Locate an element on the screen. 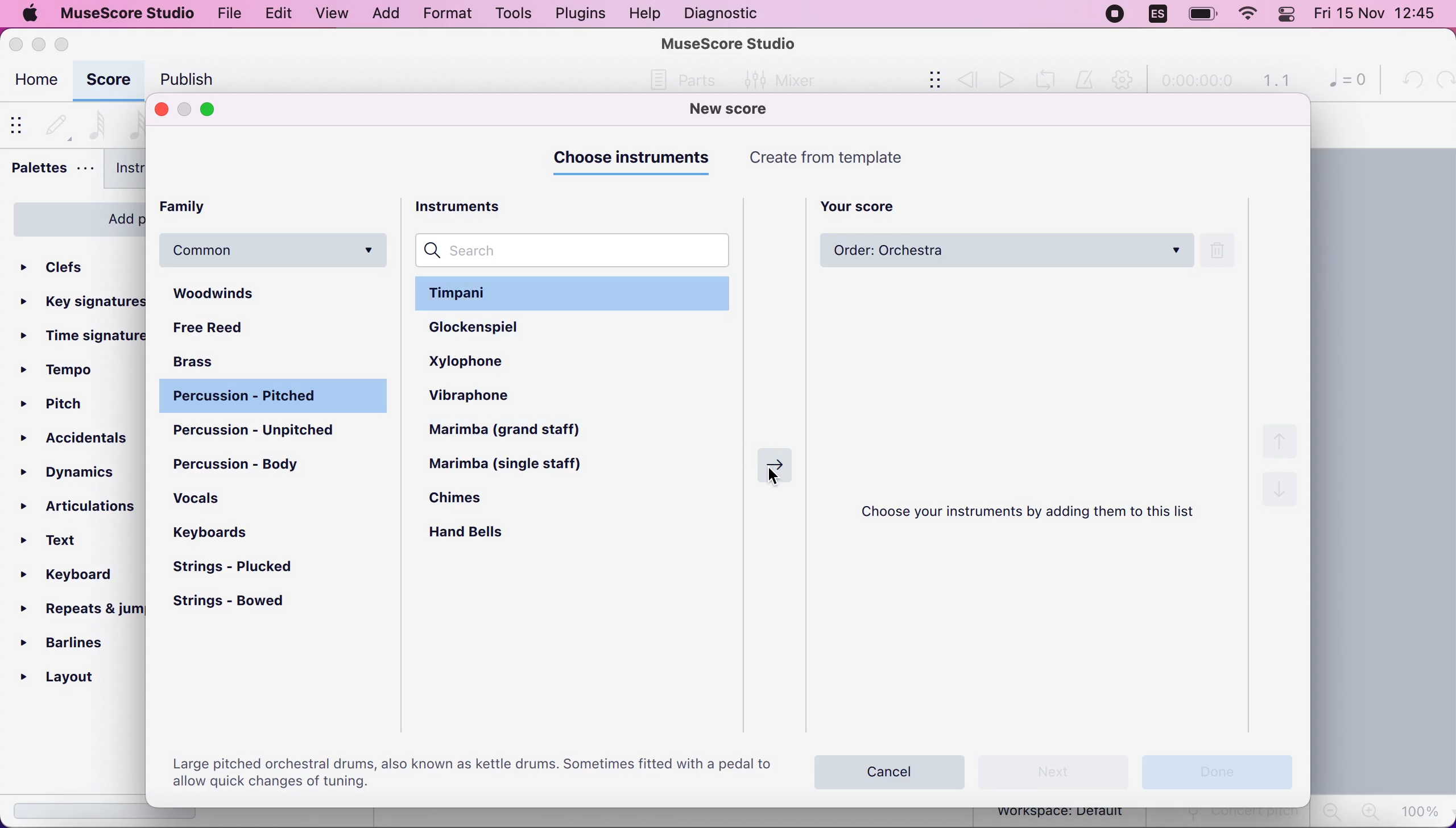  close is located at coordinates (161, 109).